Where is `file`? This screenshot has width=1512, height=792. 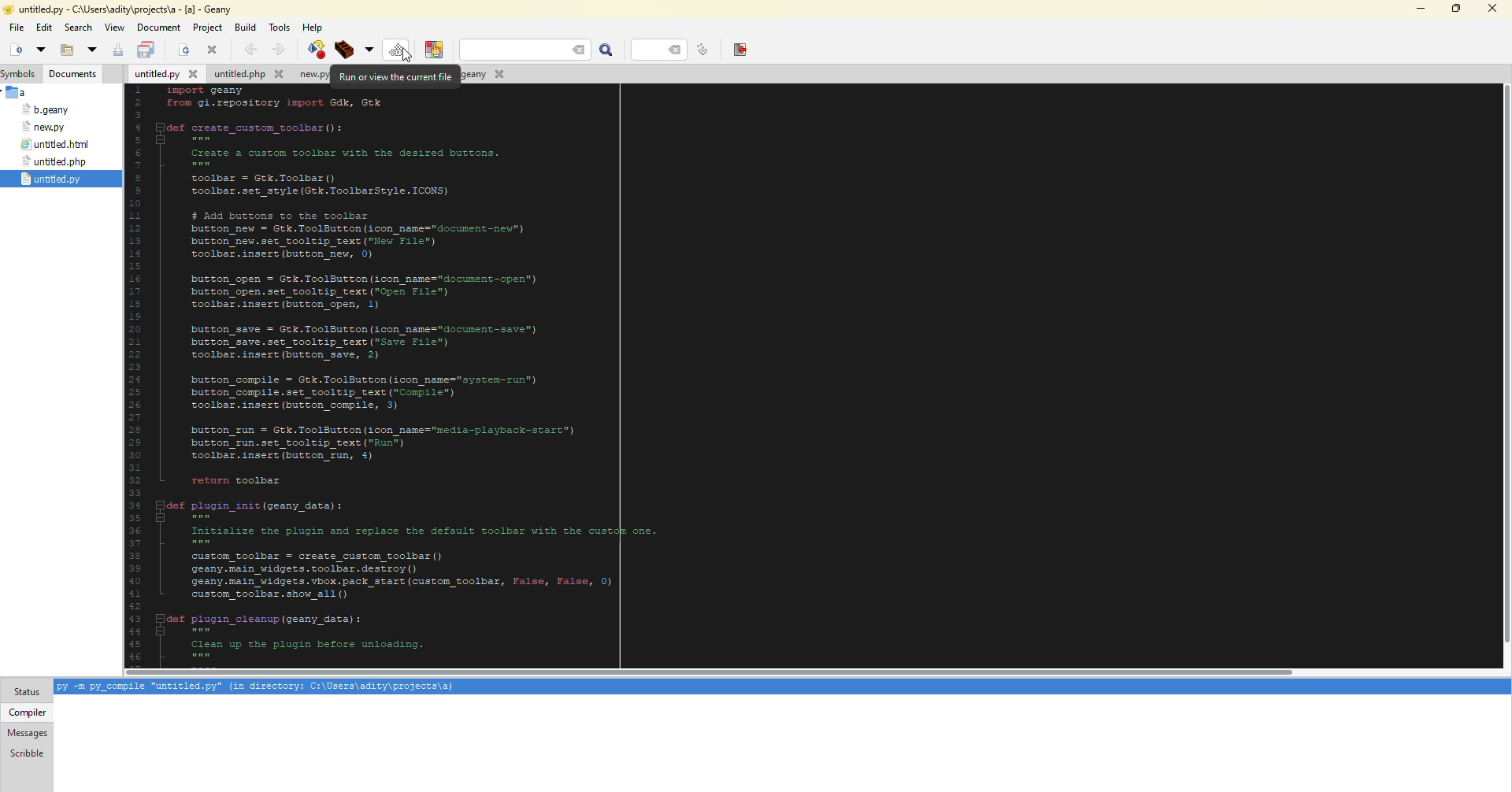 file is located at coordinates (481, 74).